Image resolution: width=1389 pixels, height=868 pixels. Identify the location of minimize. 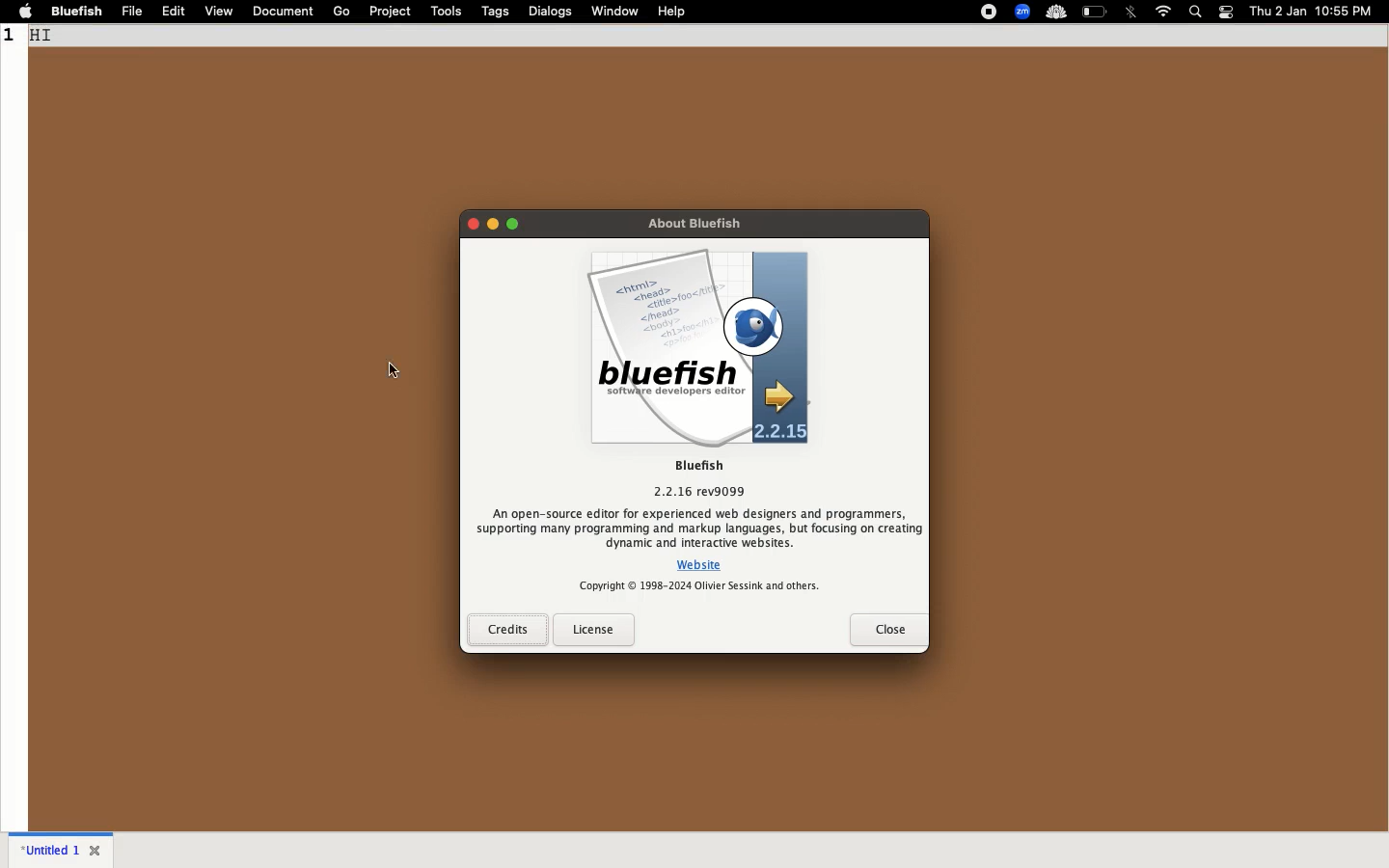
(493, 224).